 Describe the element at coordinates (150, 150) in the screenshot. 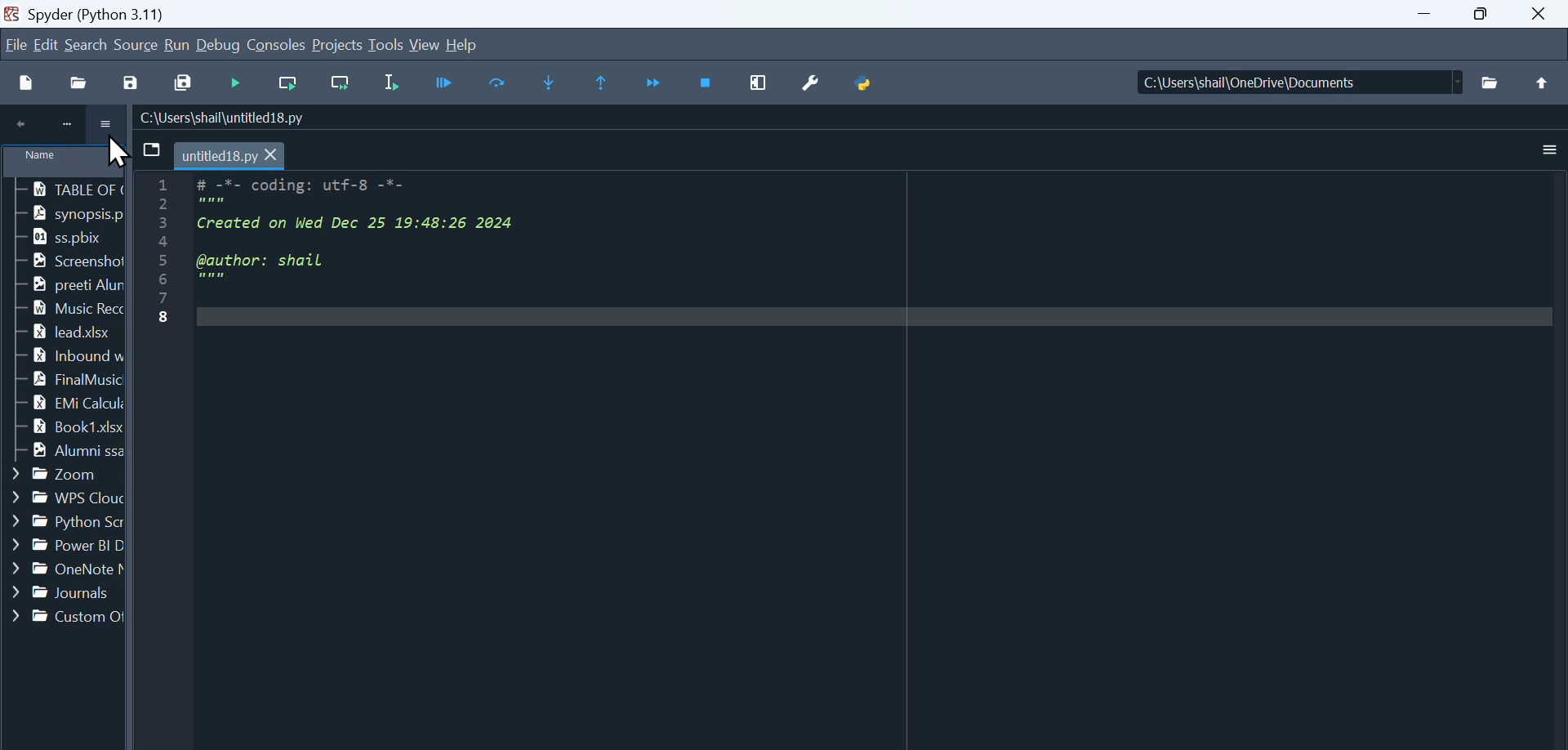

I see `search tabs` at that location.